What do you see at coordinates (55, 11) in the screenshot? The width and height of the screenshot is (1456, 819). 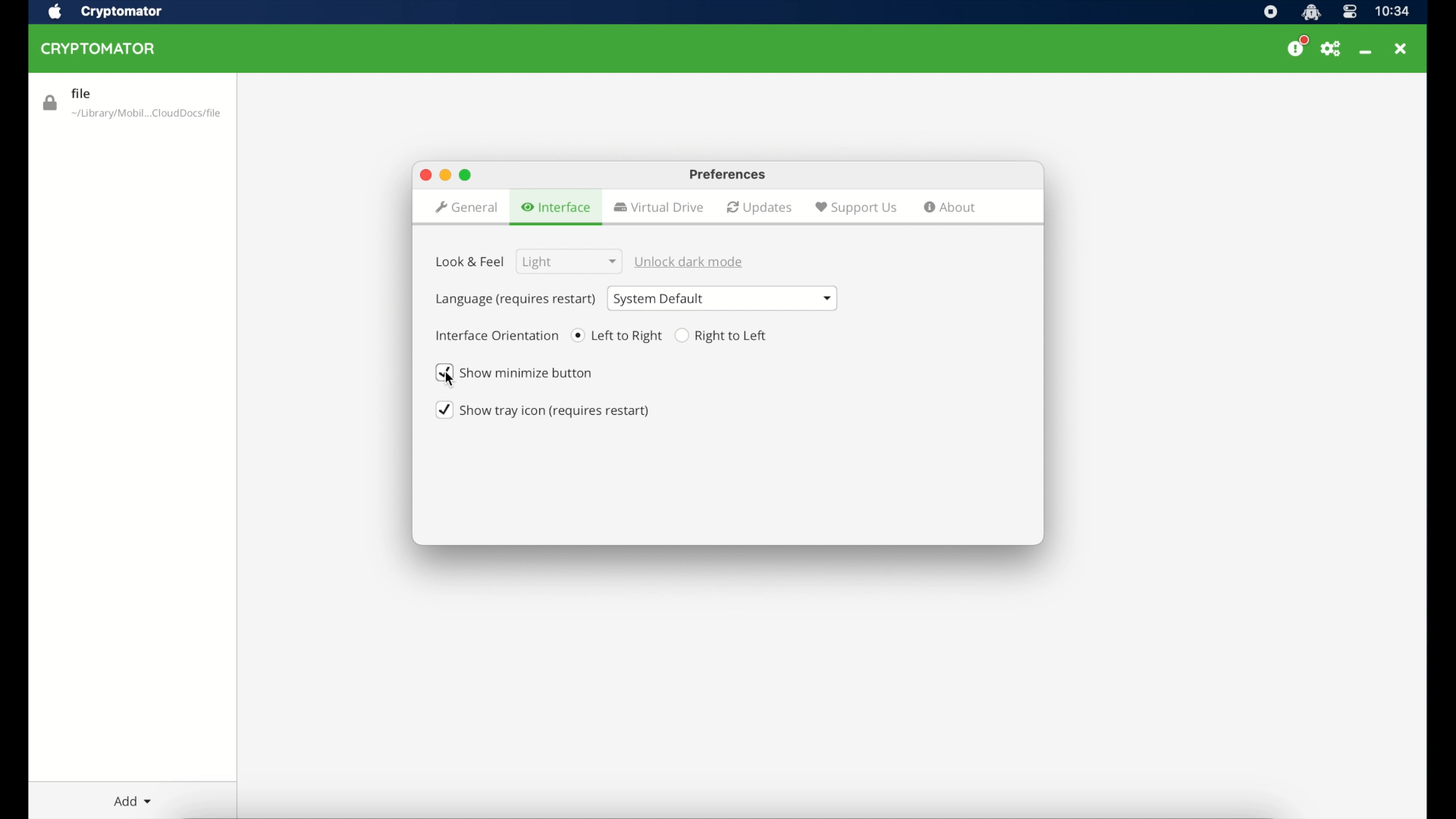 I see `apple icon` at bounding box center [55, 11].